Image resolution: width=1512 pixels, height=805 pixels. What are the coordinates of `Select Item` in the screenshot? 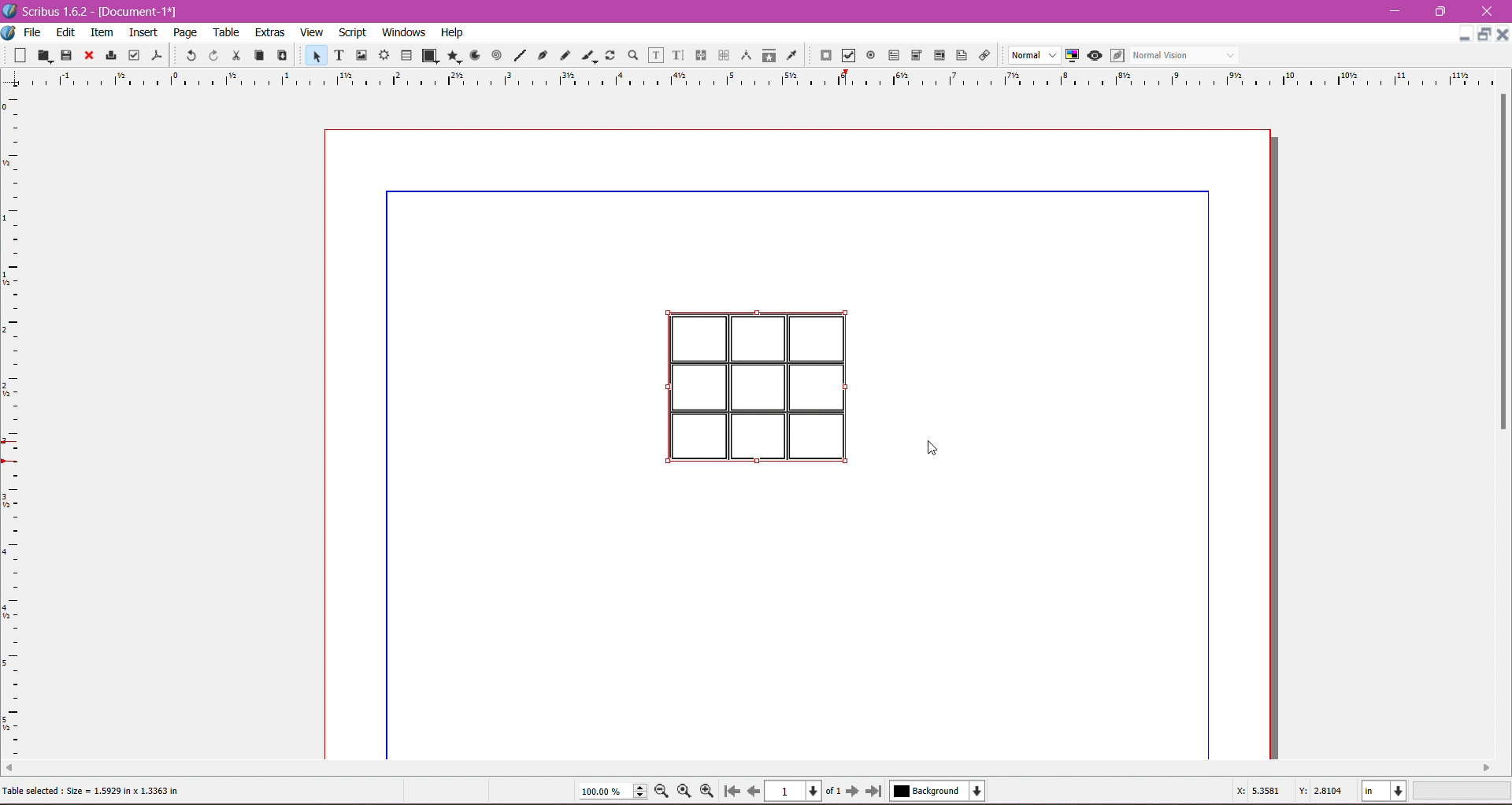 It's located at (309, 54).